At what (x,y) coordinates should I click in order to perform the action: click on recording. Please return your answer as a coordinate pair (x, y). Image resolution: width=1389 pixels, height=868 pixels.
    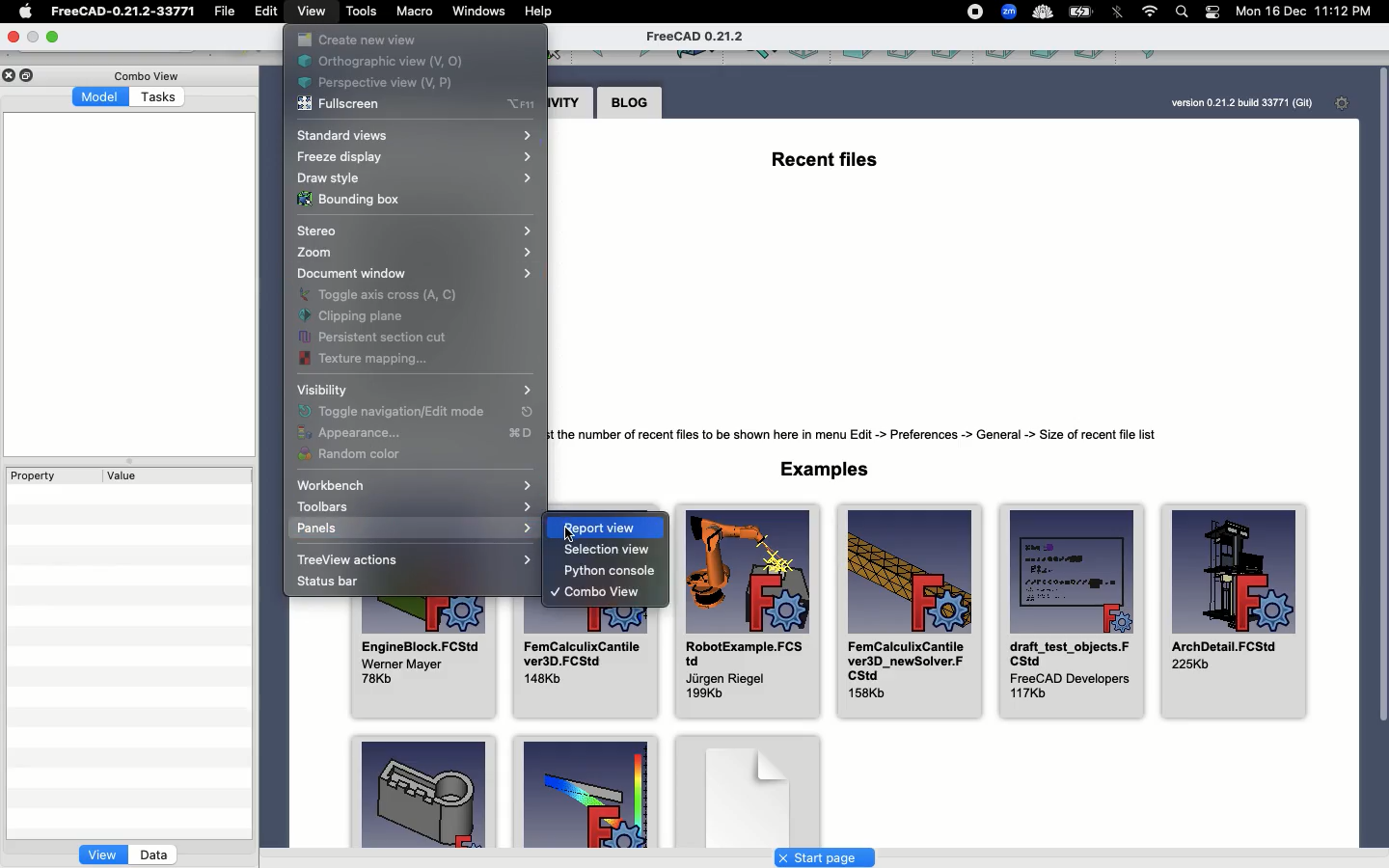
    Looking at the image, I should click on (974, 12).